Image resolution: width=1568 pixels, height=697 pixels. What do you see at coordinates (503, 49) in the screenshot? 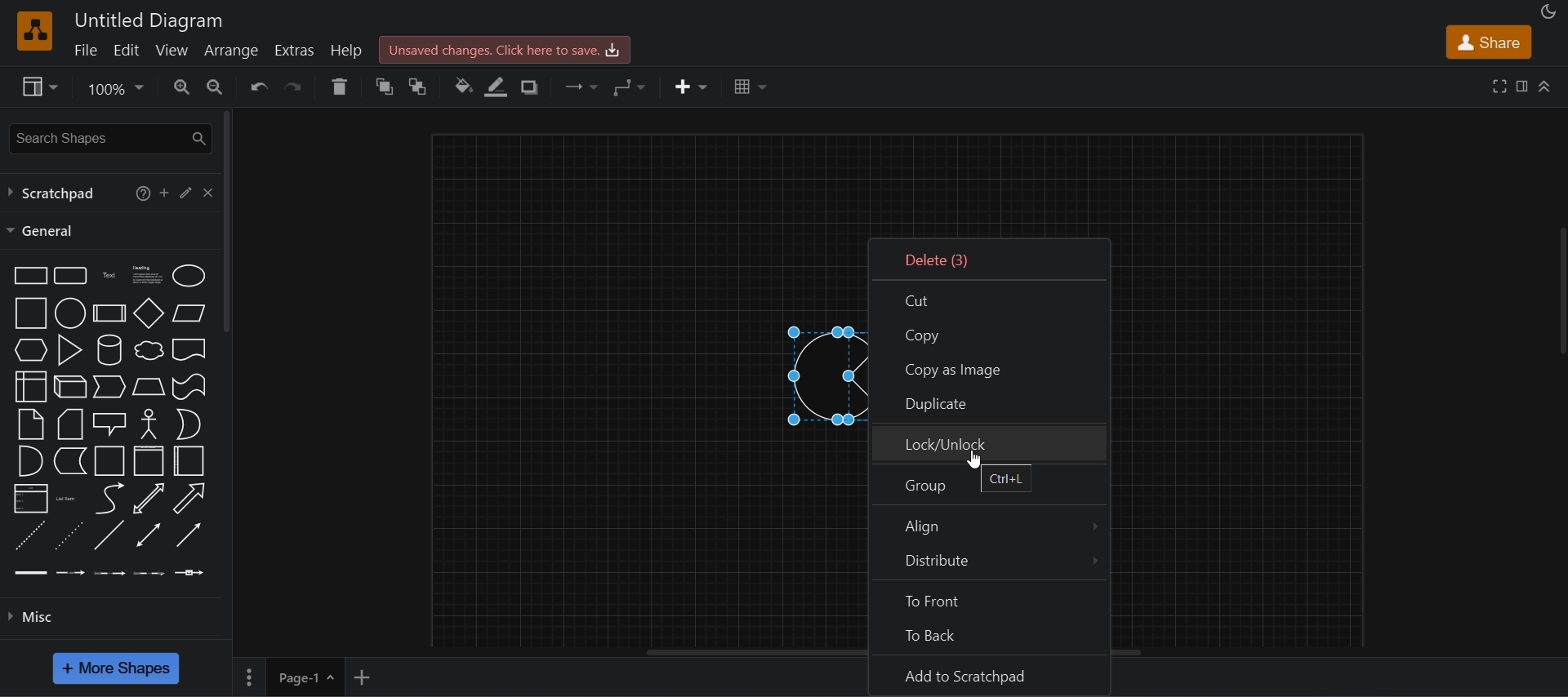
I see `click here to save` at bounding box center [503, 49].